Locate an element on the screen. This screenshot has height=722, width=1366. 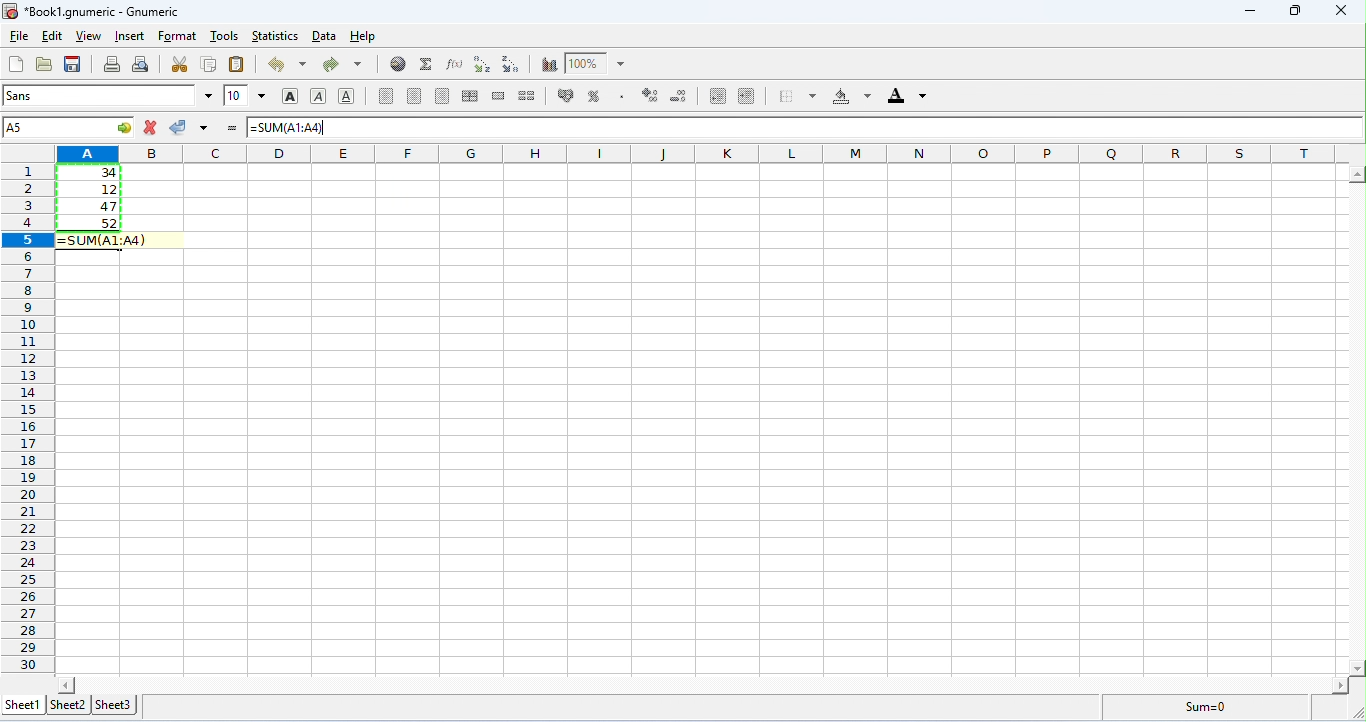
maximize is located at coordinates (1298, 11).